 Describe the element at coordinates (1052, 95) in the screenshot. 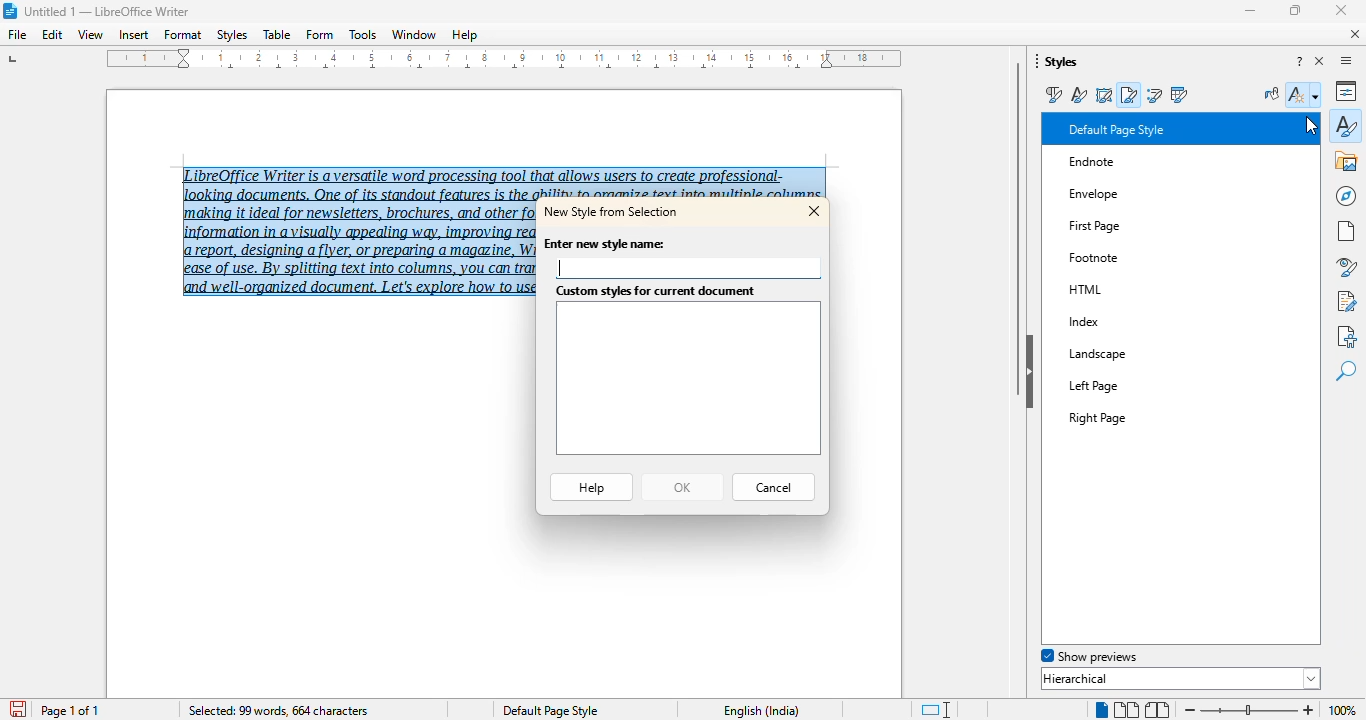

I see `paragraph styles` at that location.